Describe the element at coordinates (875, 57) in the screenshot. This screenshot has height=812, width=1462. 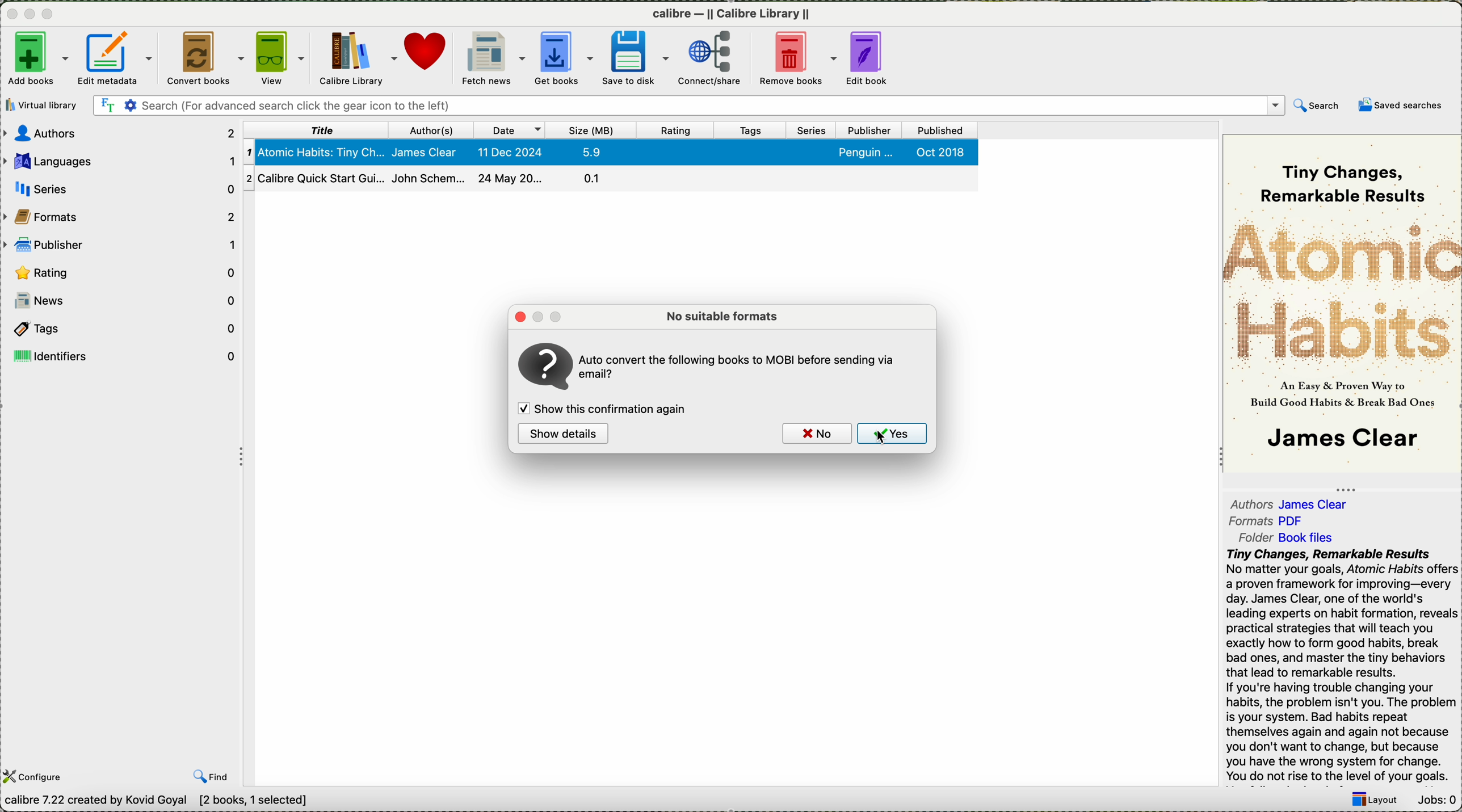
I see `edit book` at that location.